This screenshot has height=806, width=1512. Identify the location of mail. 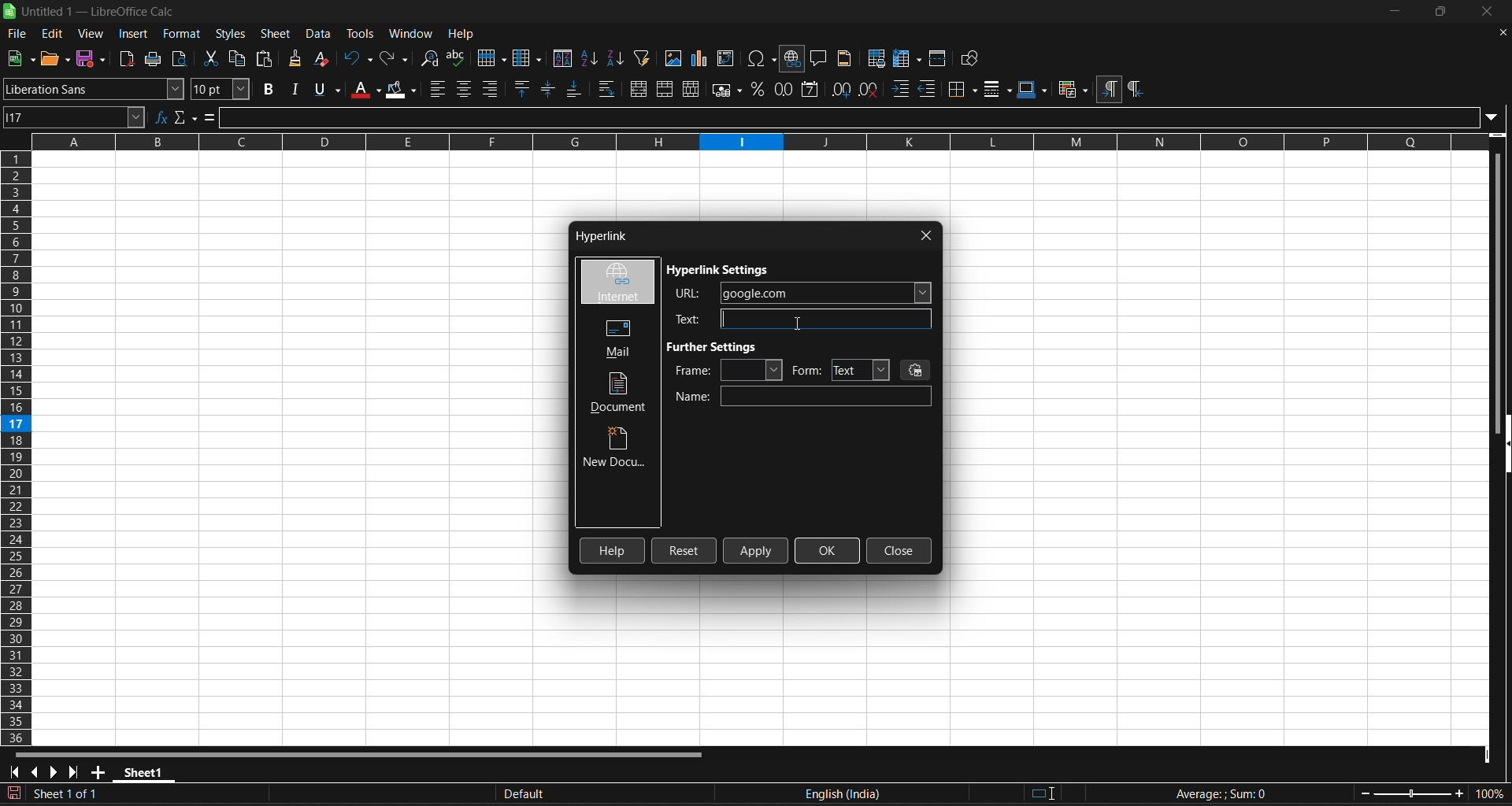
(613, 337).